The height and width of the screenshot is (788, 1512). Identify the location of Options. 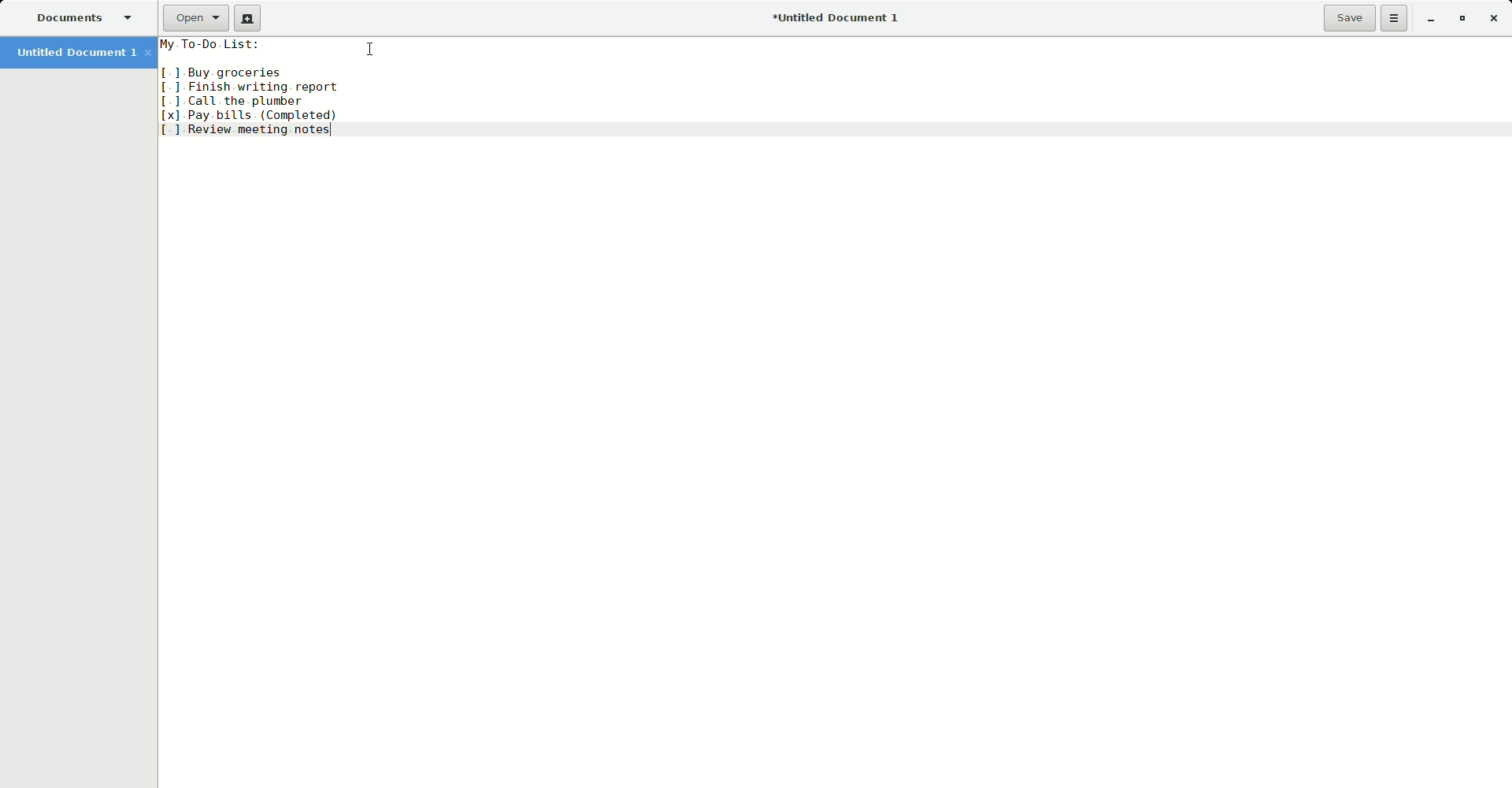
(1397, 20).